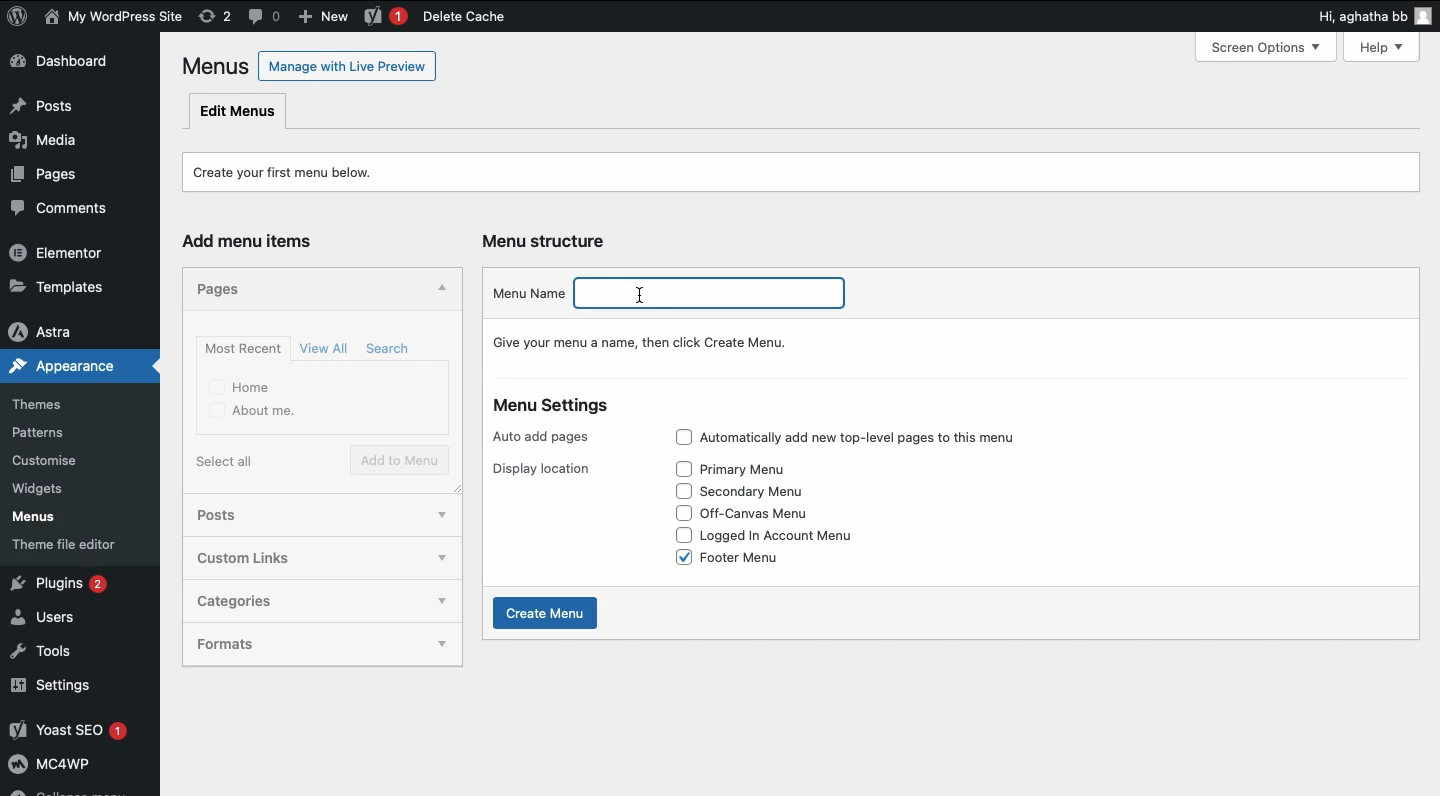 The width and height of the screenshot is (1440, 796). Describe the element at coordinates (676, 558) in the screenshot. I see `Check box` at that location.